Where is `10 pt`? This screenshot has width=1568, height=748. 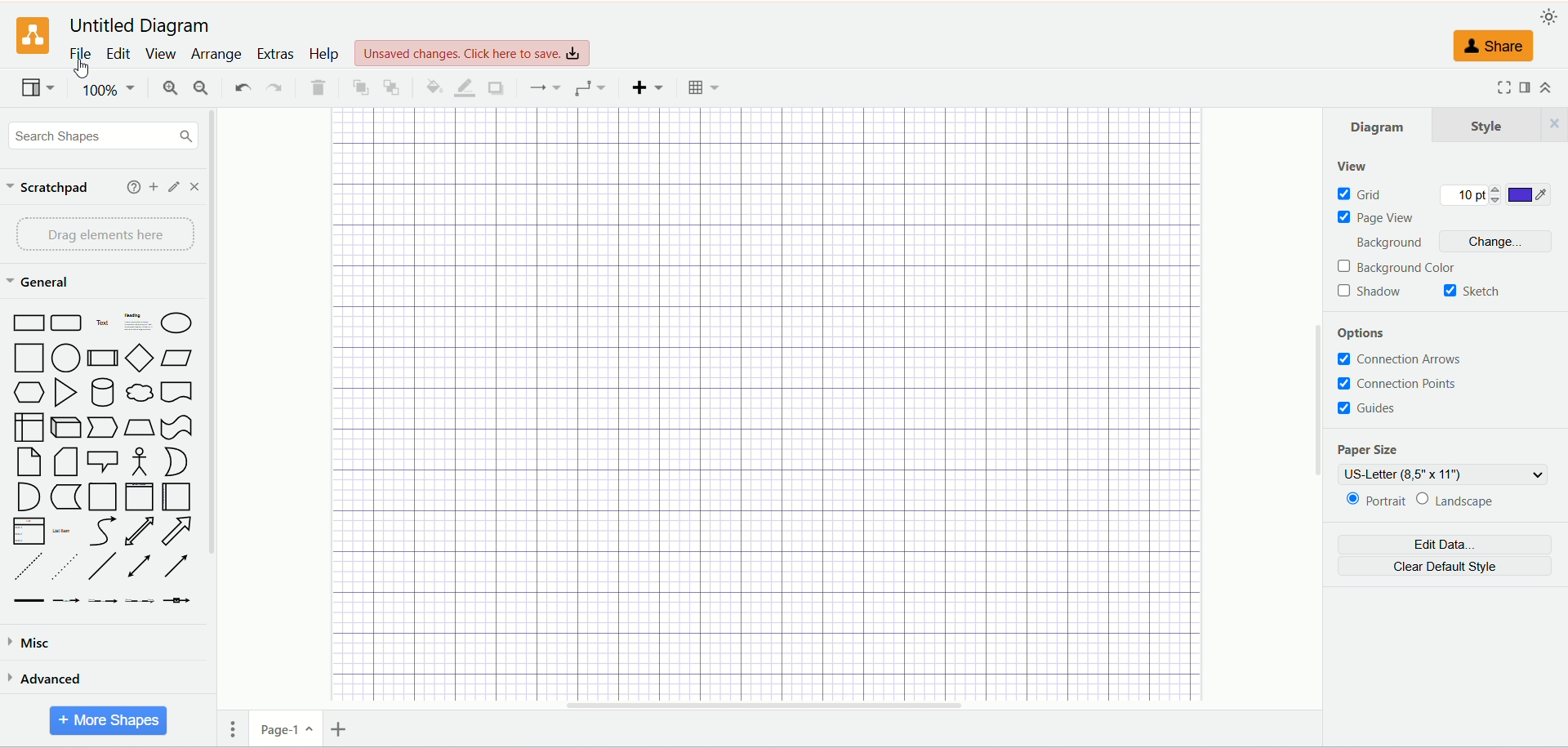 10 pt is located at coordinates (1471, 196).